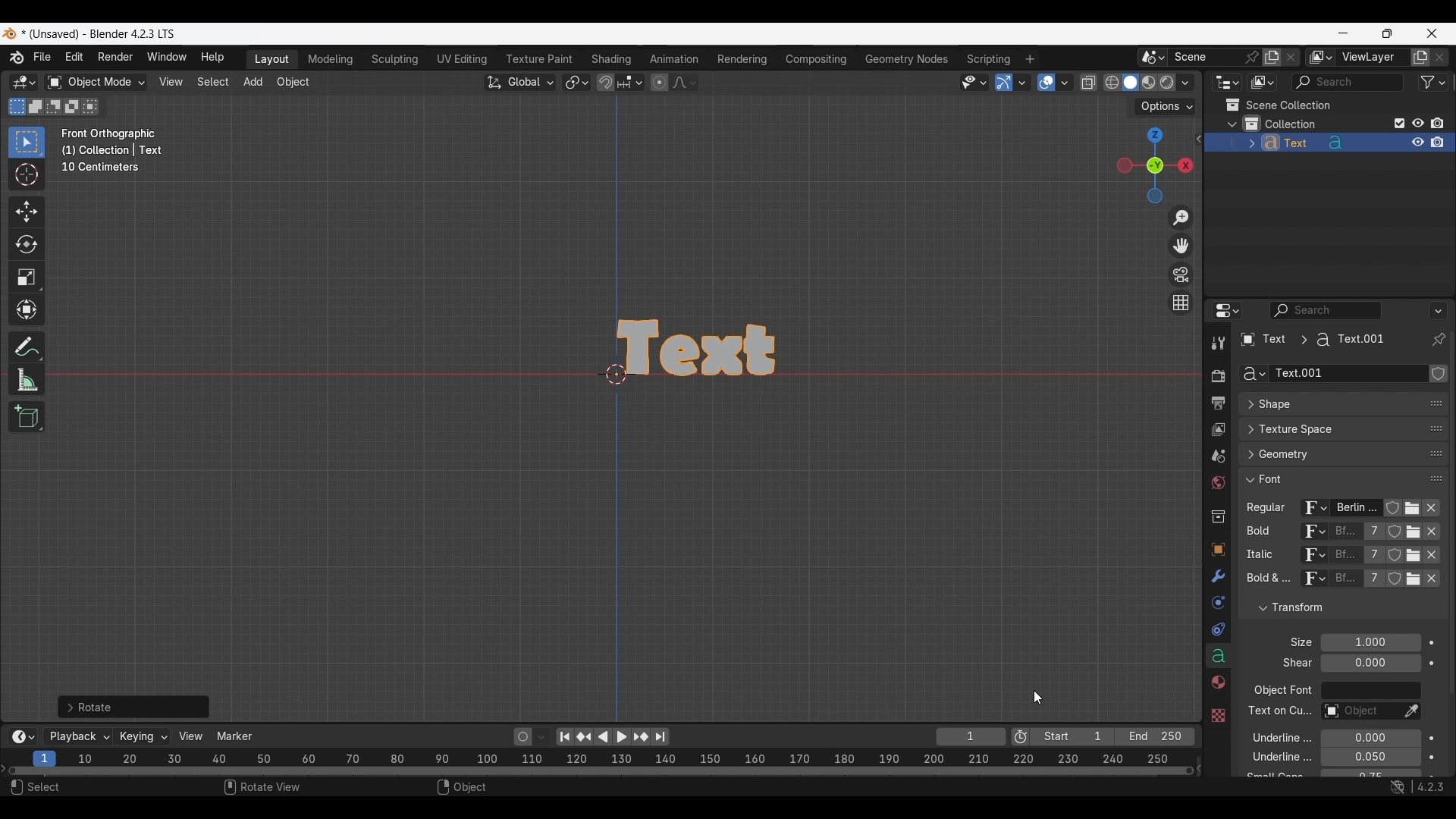 This screenshot has width=1456, height=819. I want to click on Open Font for respective attribute, so click(1414, 510).